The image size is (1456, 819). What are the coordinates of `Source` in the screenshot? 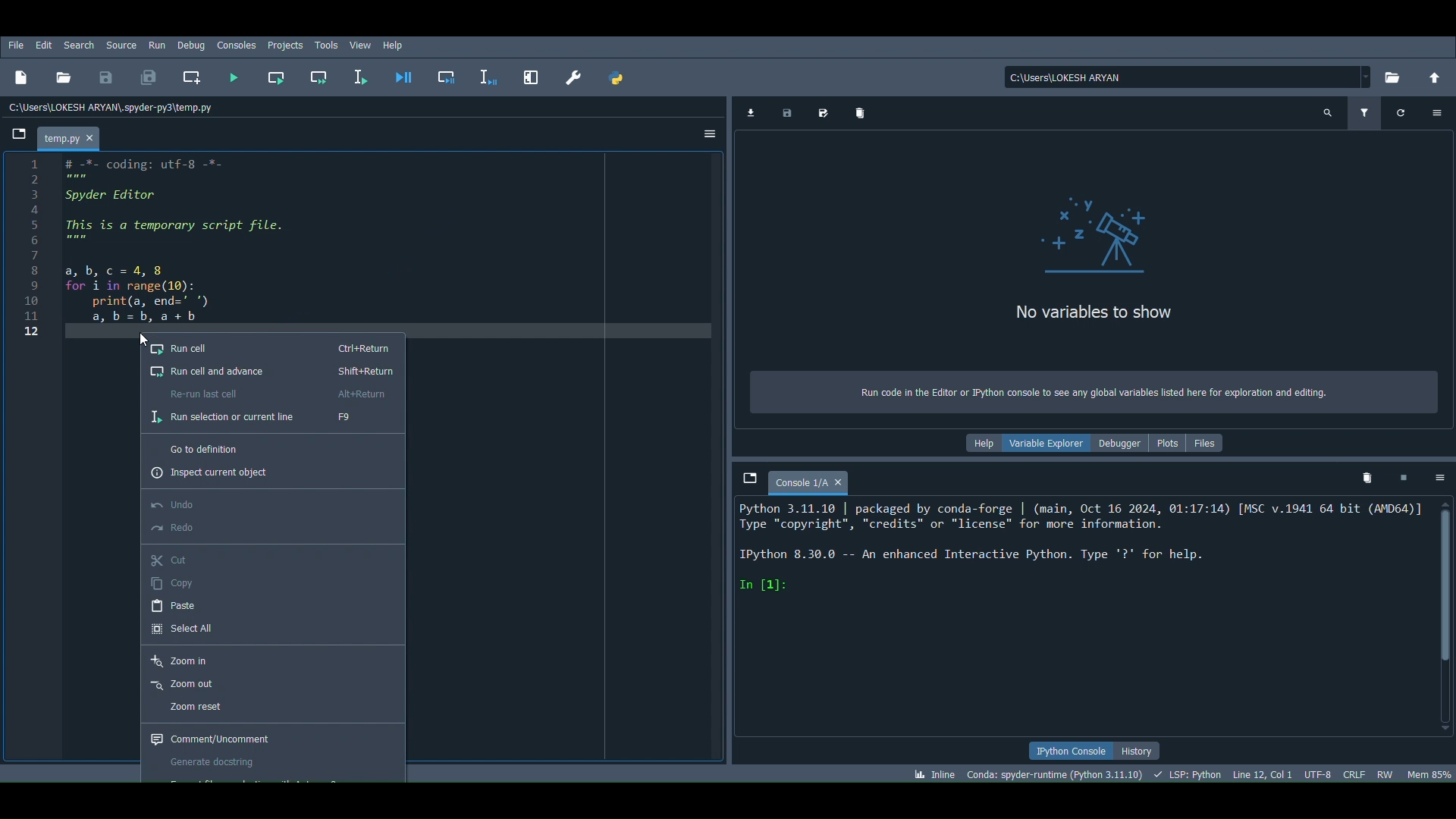 It's located at (123, 46).